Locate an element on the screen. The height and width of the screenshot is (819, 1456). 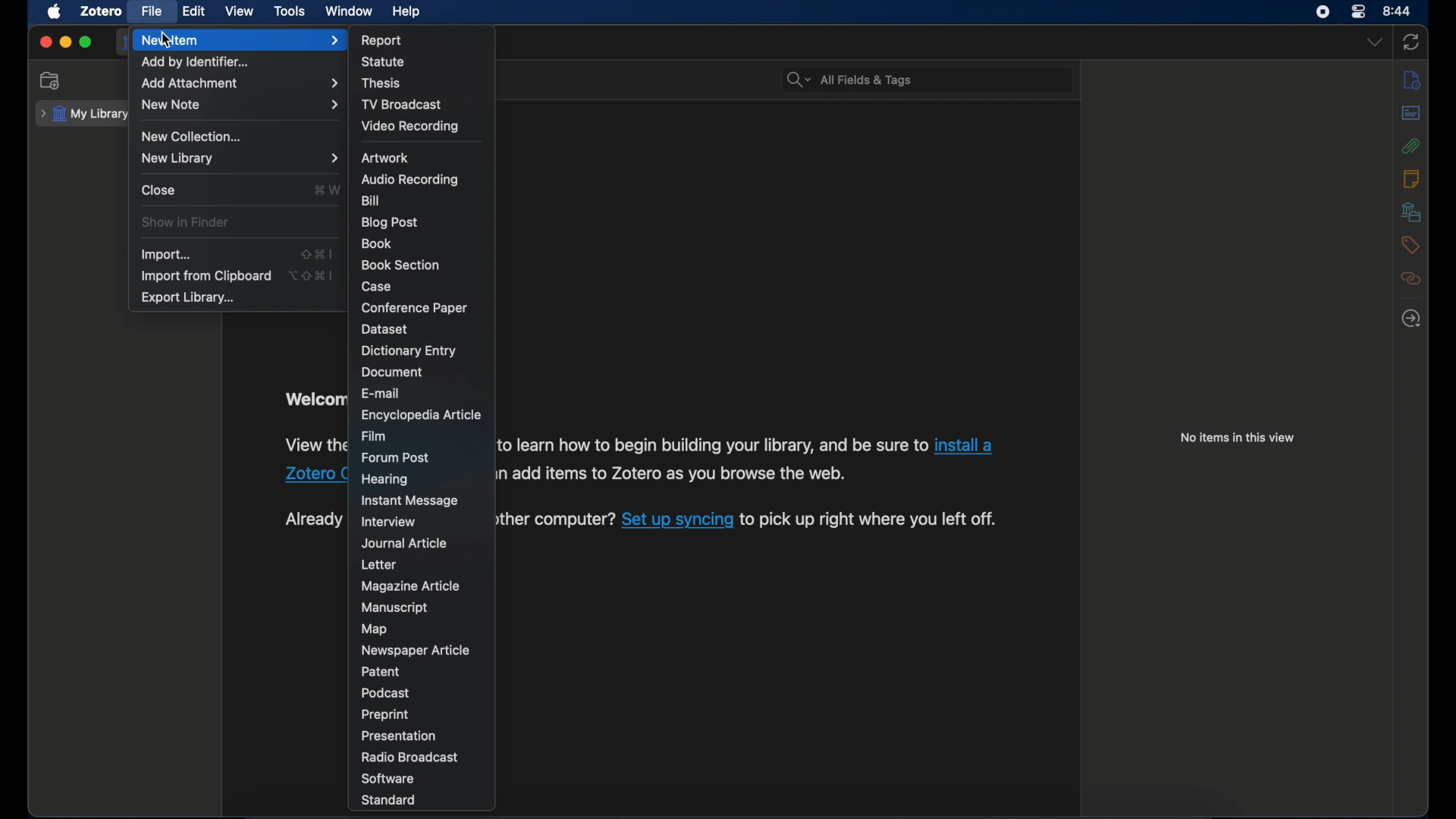
search bar input is located at coordinates (946, 80).